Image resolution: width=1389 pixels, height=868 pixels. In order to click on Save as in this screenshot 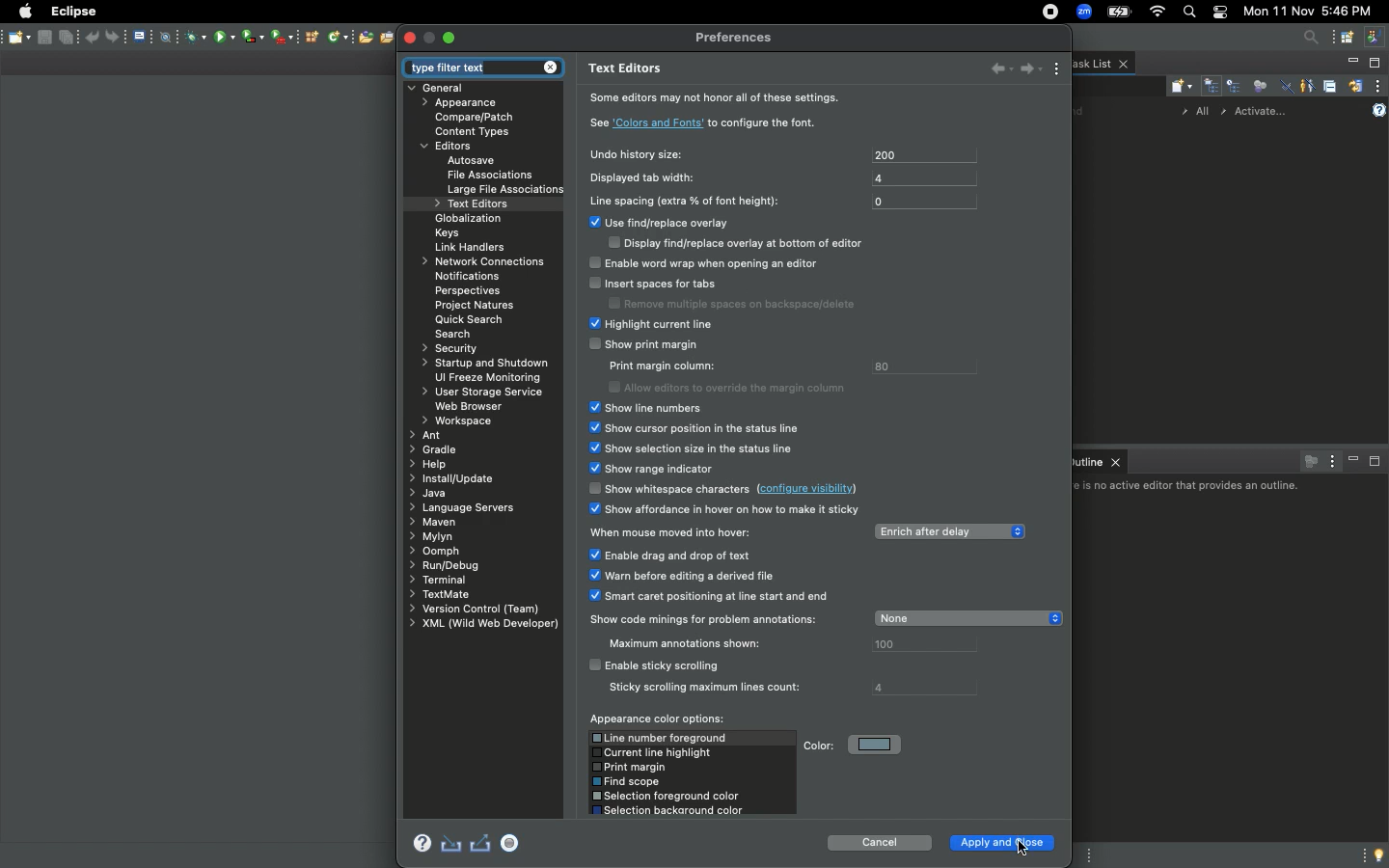, I will do `click(69, 39)`.